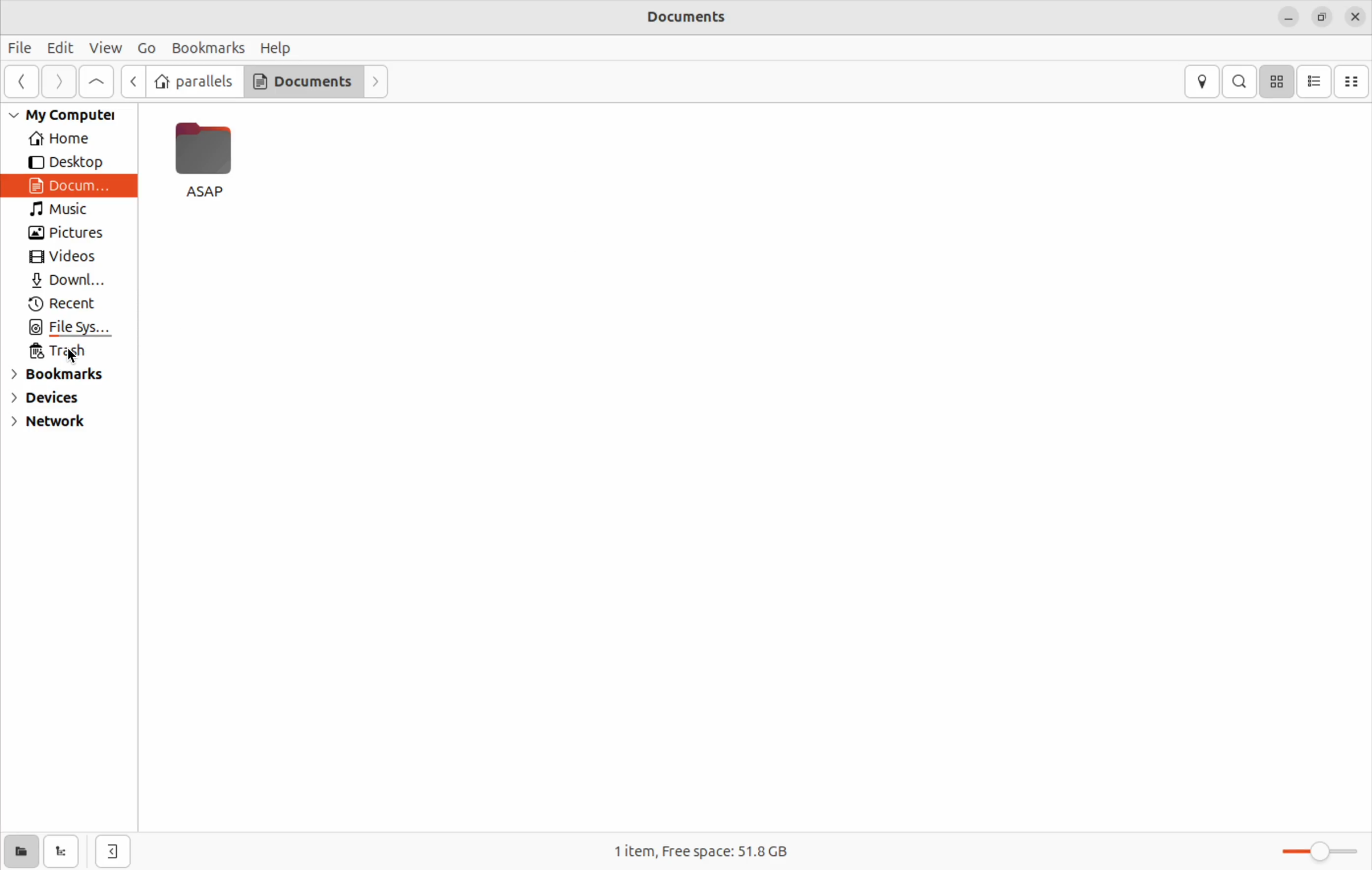 This screenshot has width=1372, height=870. Describe the element at coordinates (1310, 851) in the screenshot. I see `Zoom` at that location.